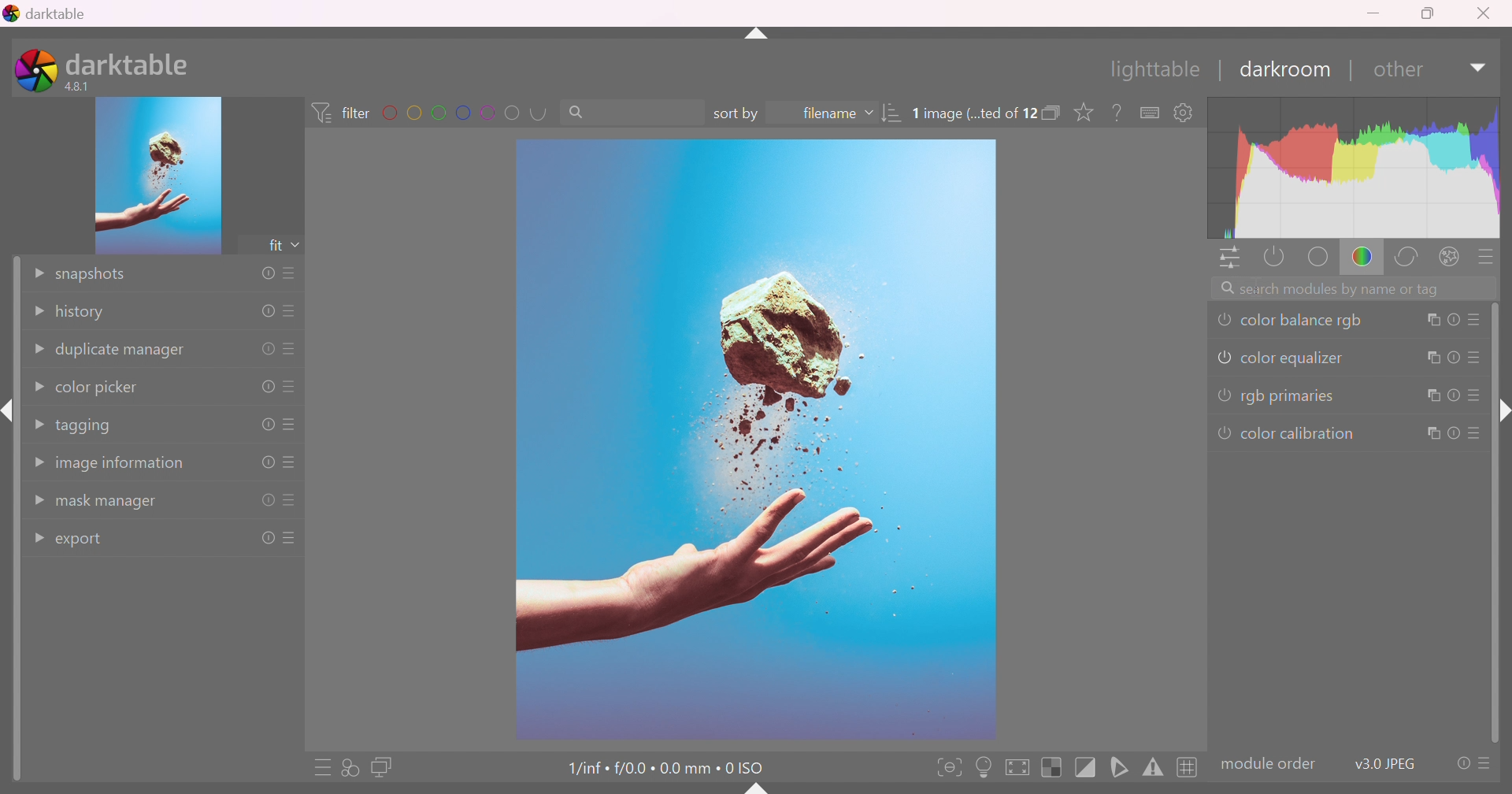  I want to click on 1/inf • f/0.0 • 0.0 mm • 0 ISO, so click(656, 769).